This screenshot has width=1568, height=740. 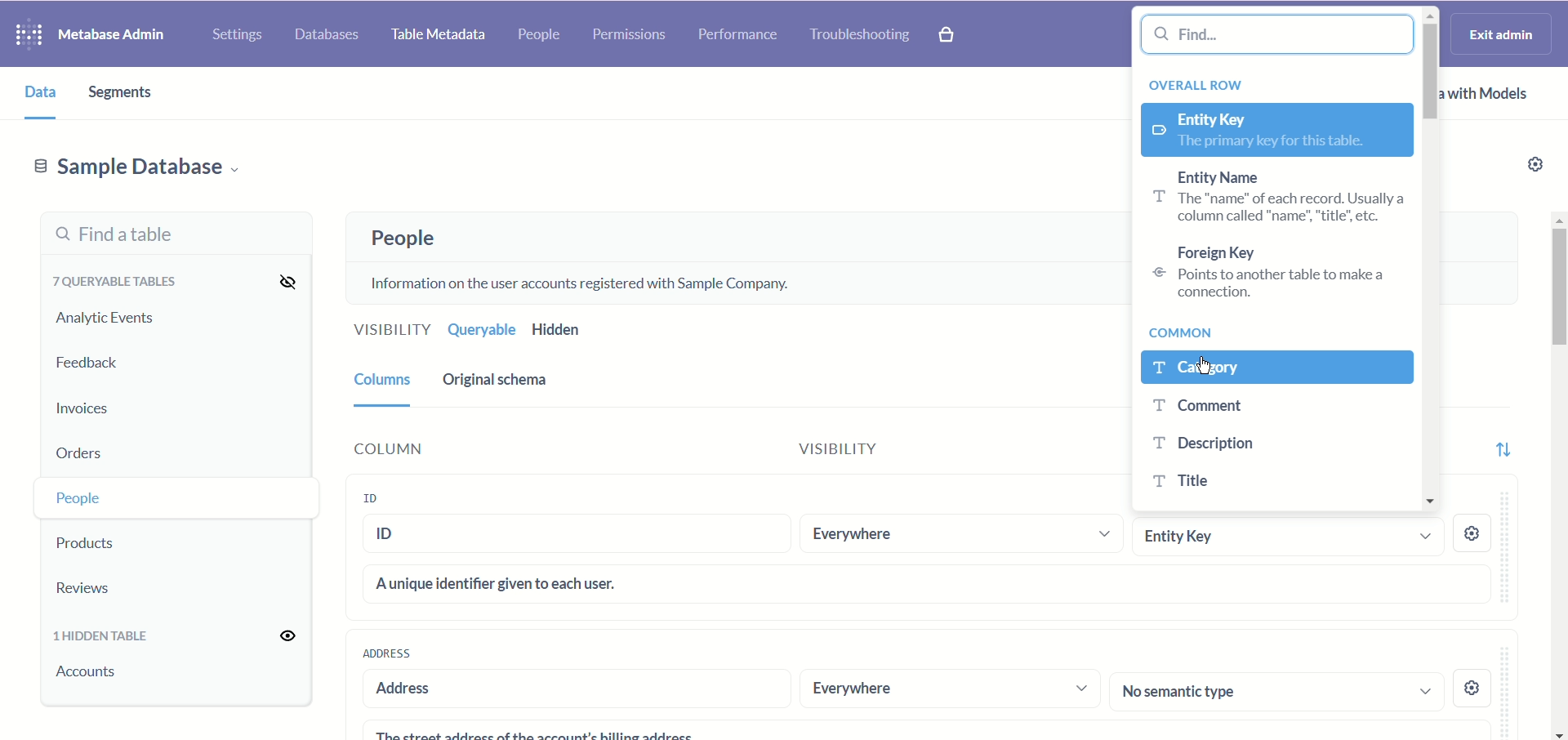 I want to click on Visibility, so click(x=388, y=332).